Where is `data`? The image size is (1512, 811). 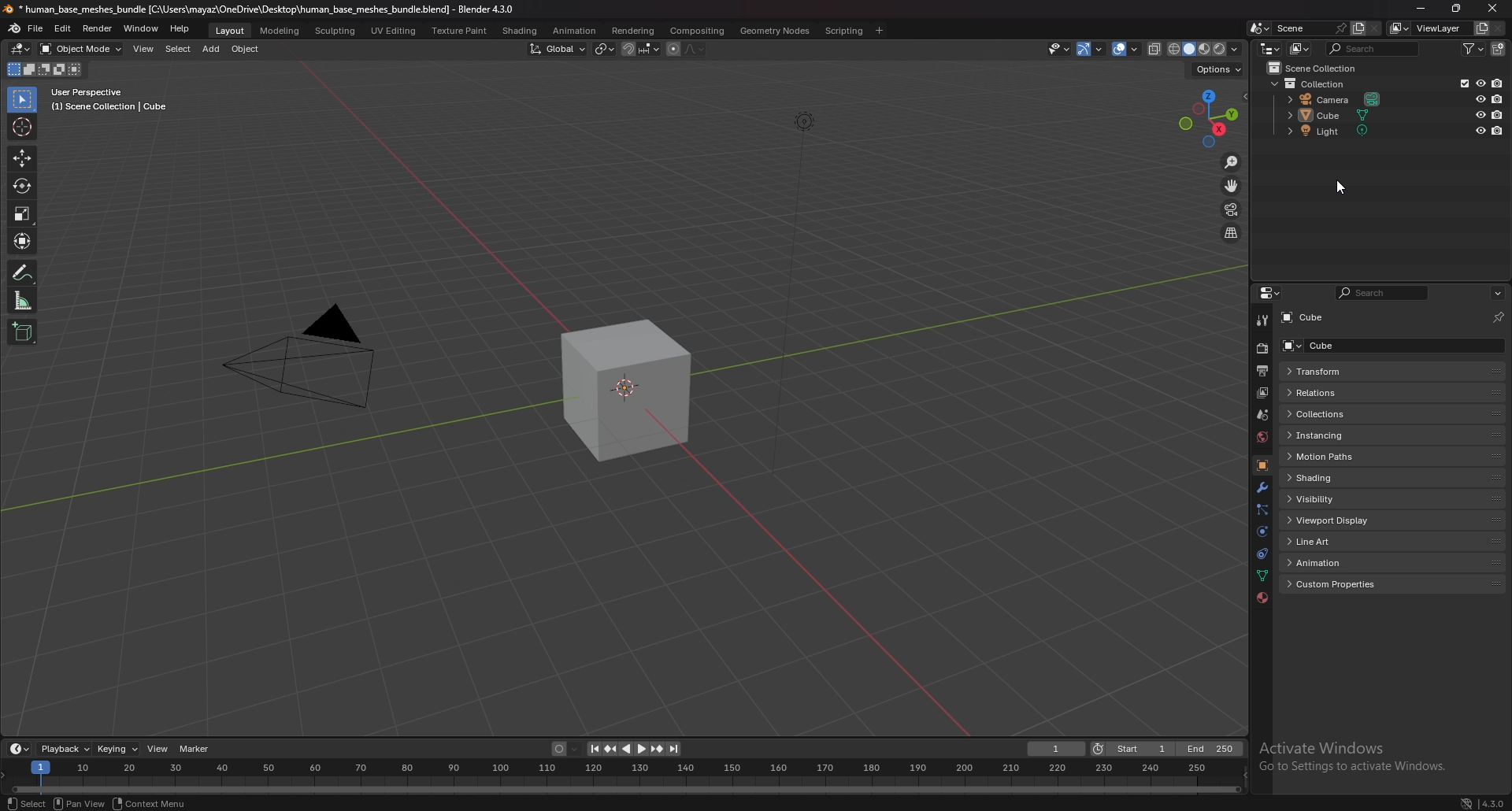
data is located at coordinates (1262, 576).